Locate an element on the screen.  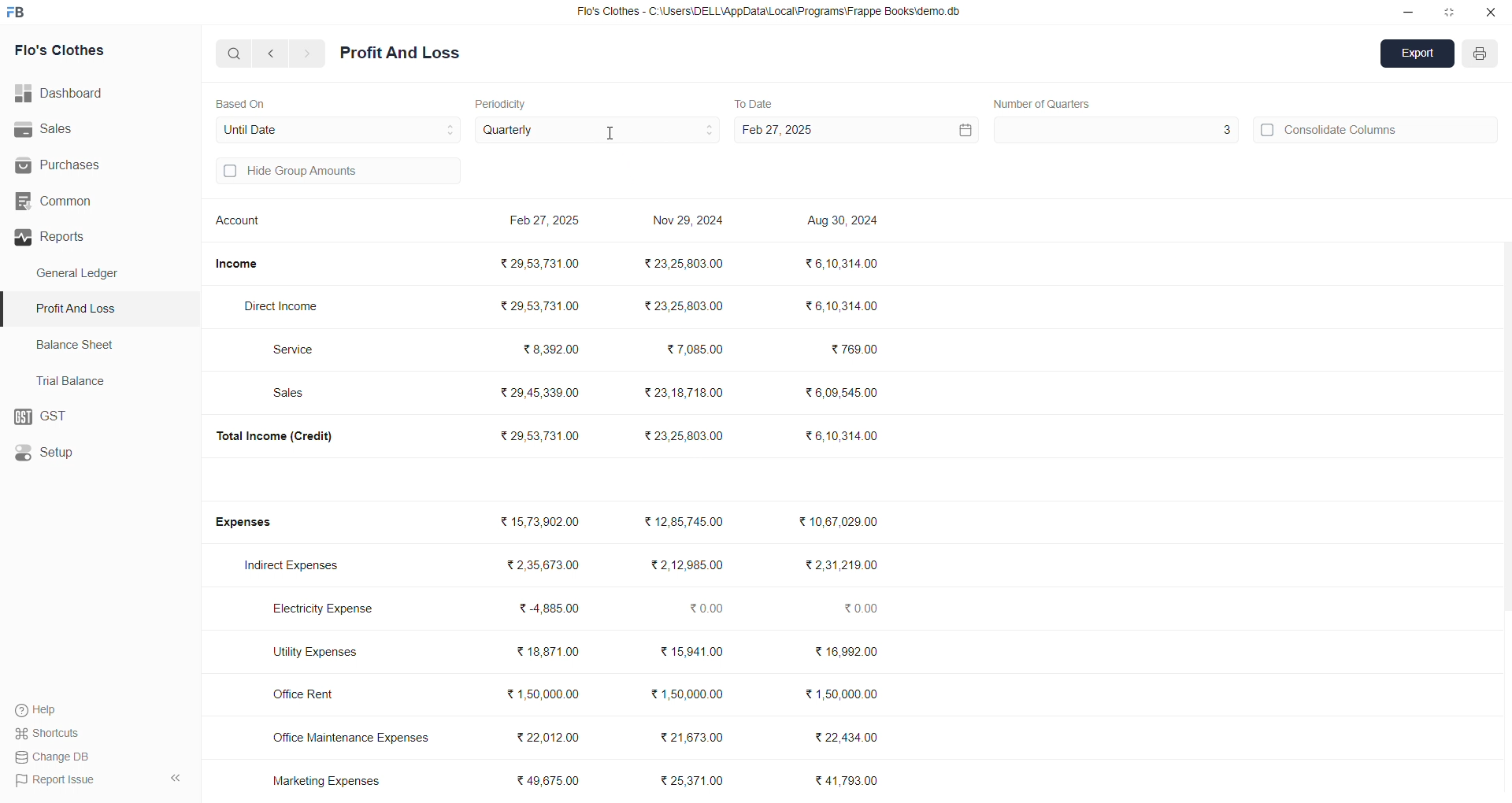
Flo's Clothes is located at coordinates (80, 51).